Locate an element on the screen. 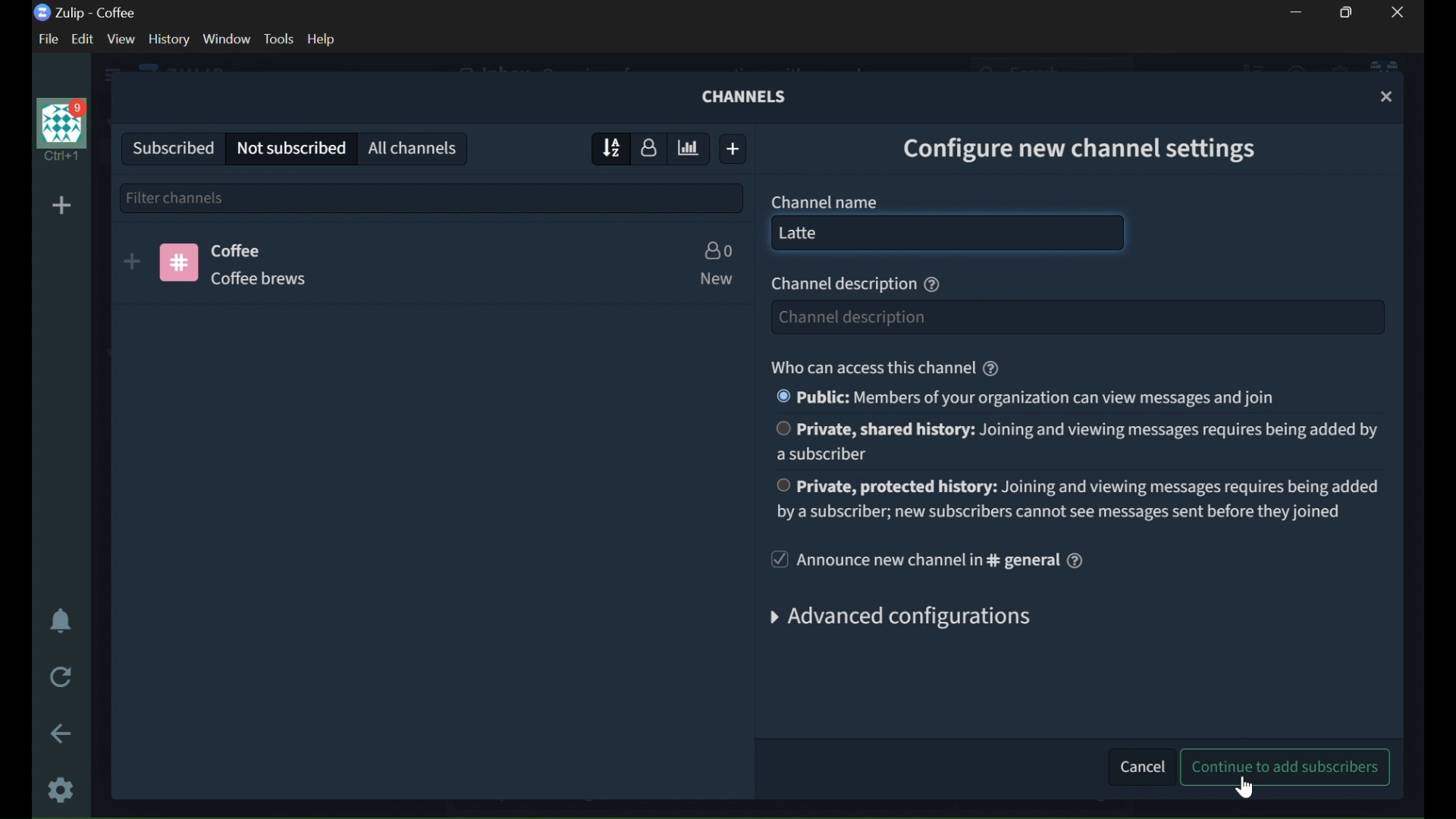 The image size is (1456, 819). EDIT is located at coordinates (86, 39).